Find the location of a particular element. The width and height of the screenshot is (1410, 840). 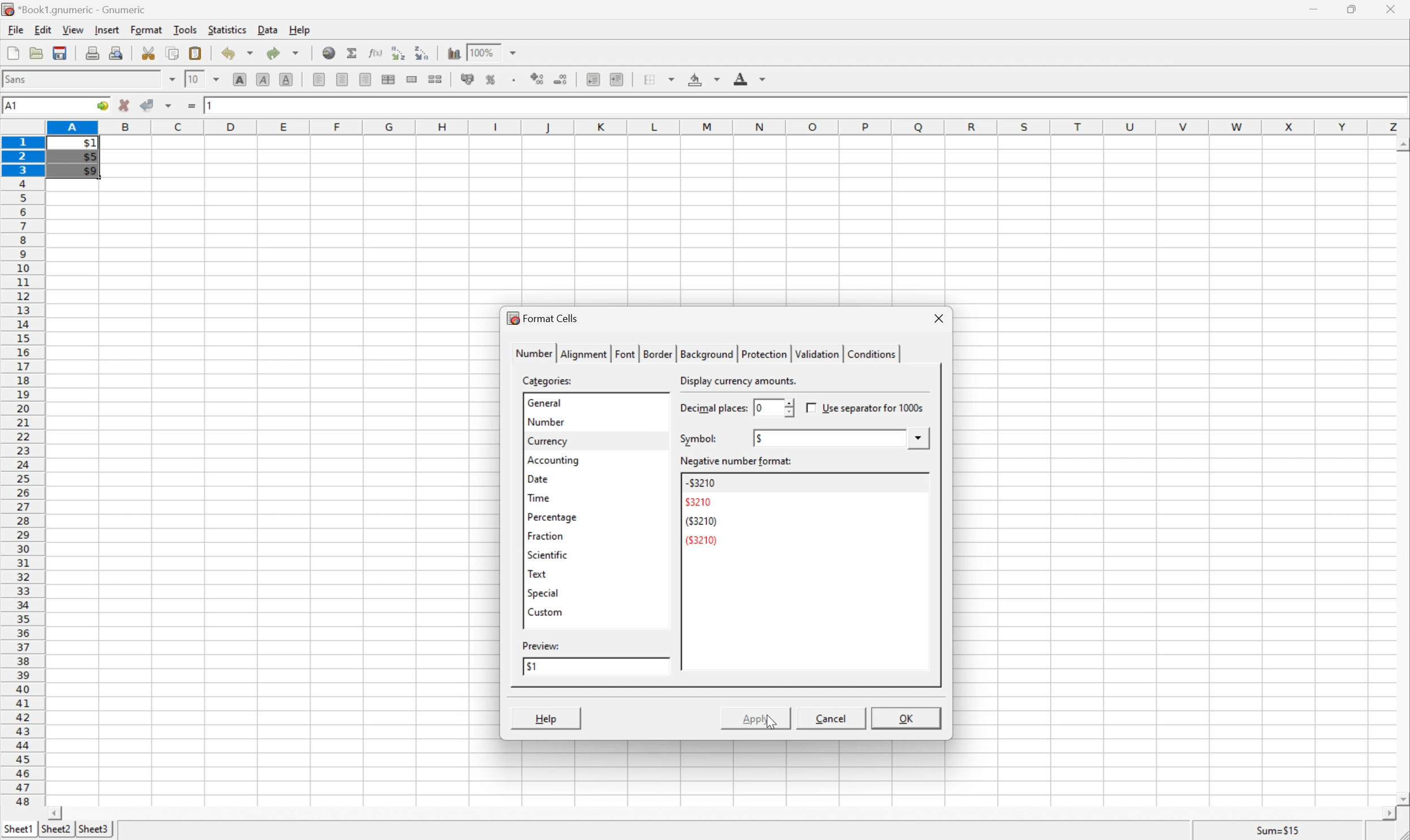

cancel changes is located at coordinates (125, 105).